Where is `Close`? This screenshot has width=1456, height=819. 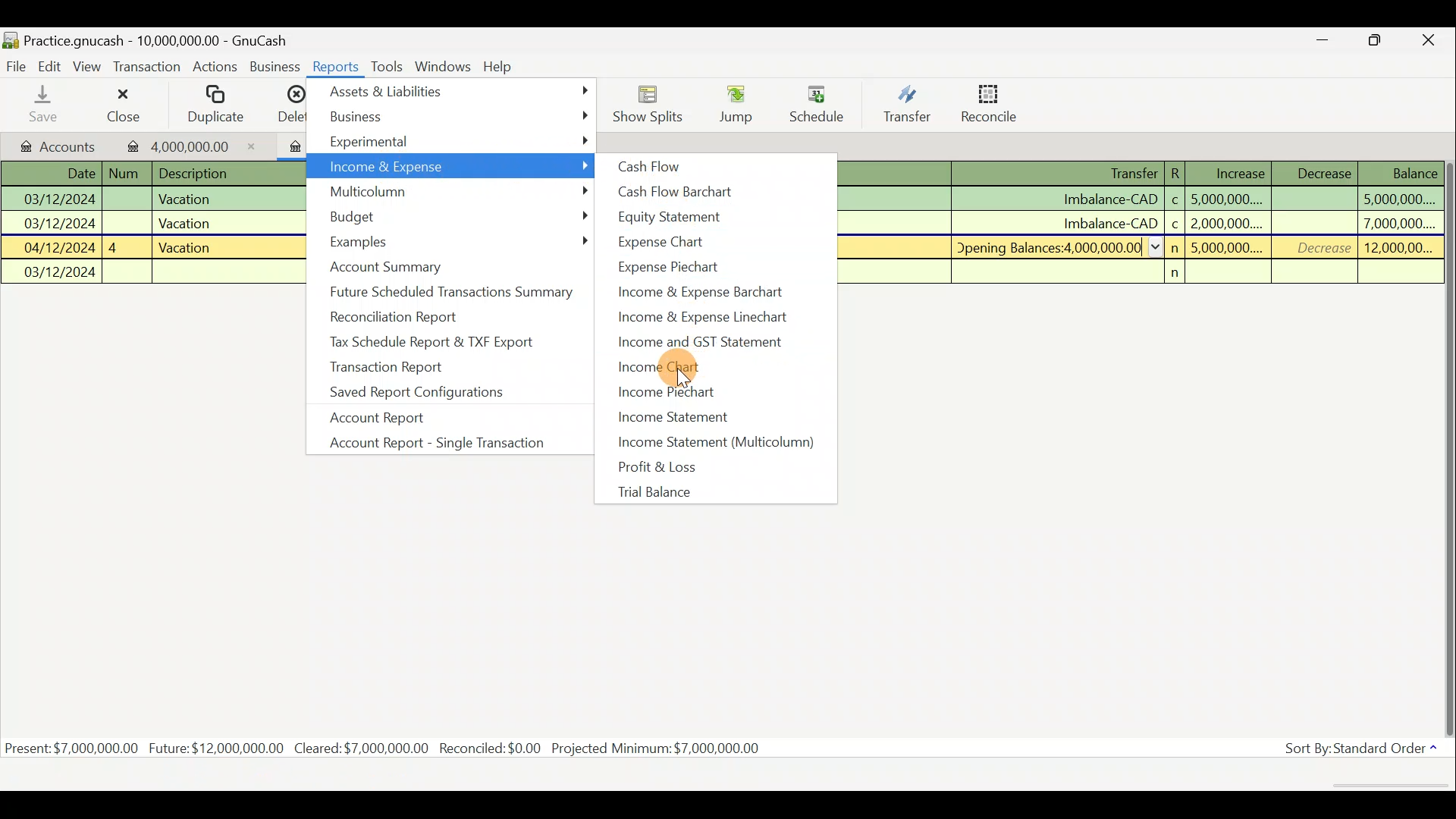
Close is located at coordinates (1434, 40).